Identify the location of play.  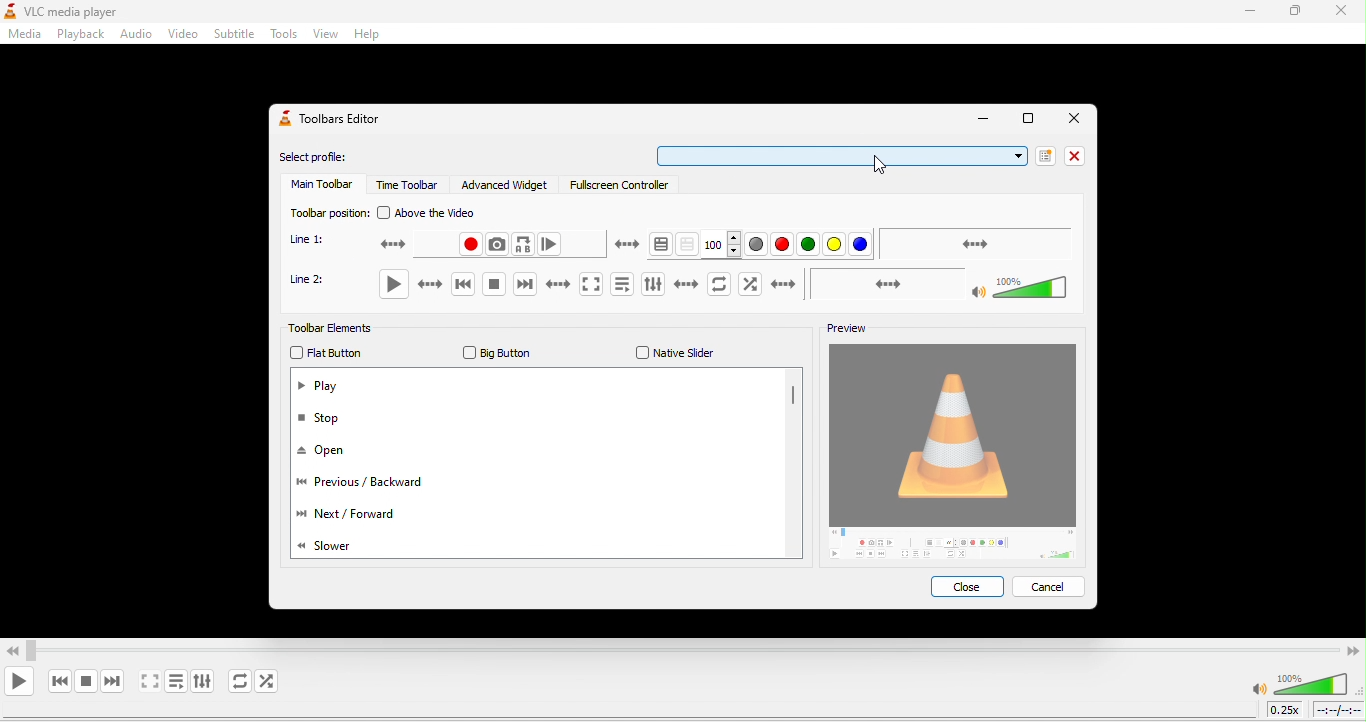
(326, 384).